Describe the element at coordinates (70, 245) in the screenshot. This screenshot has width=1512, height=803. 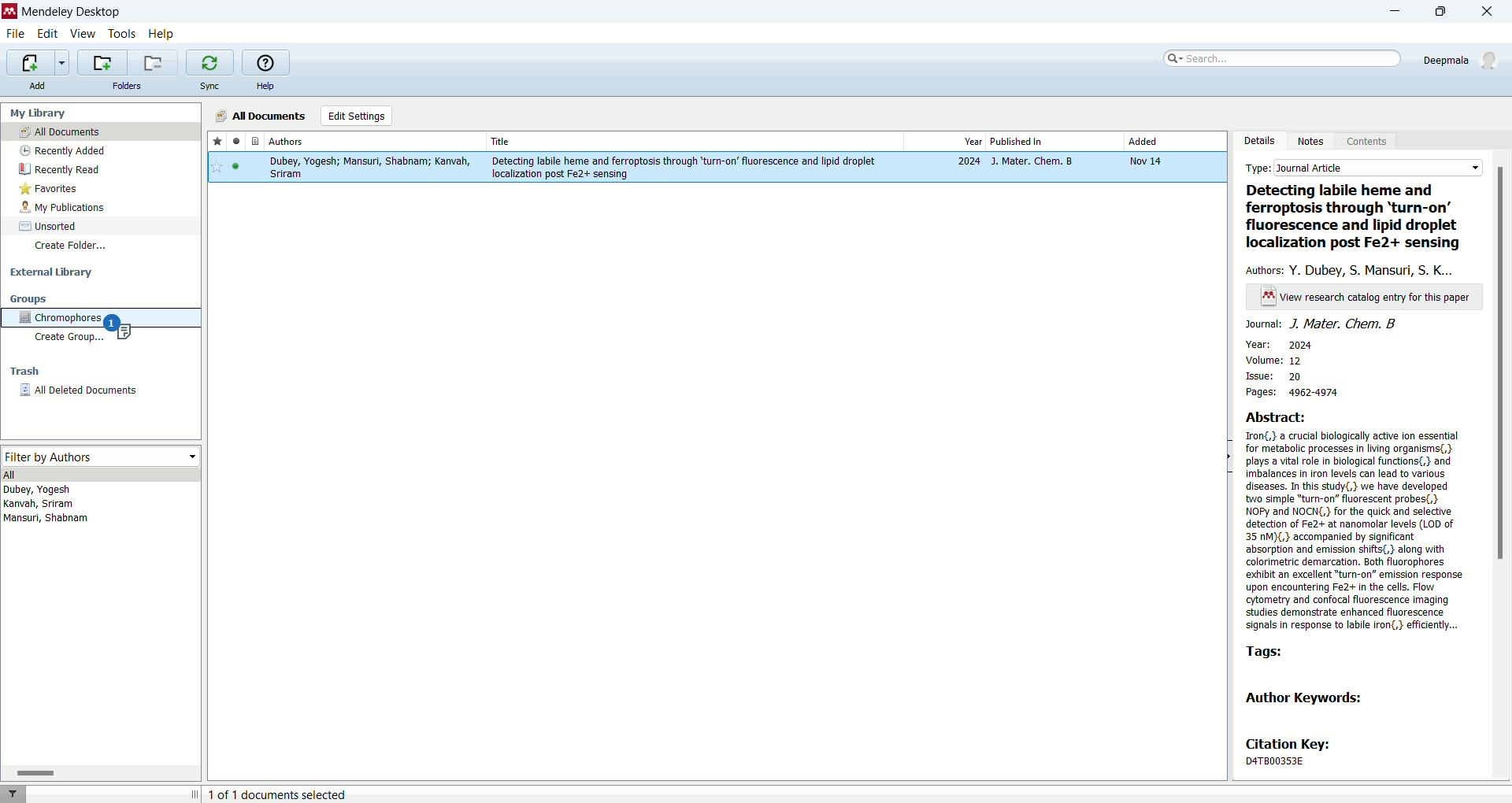
I see `create folder` at that location.